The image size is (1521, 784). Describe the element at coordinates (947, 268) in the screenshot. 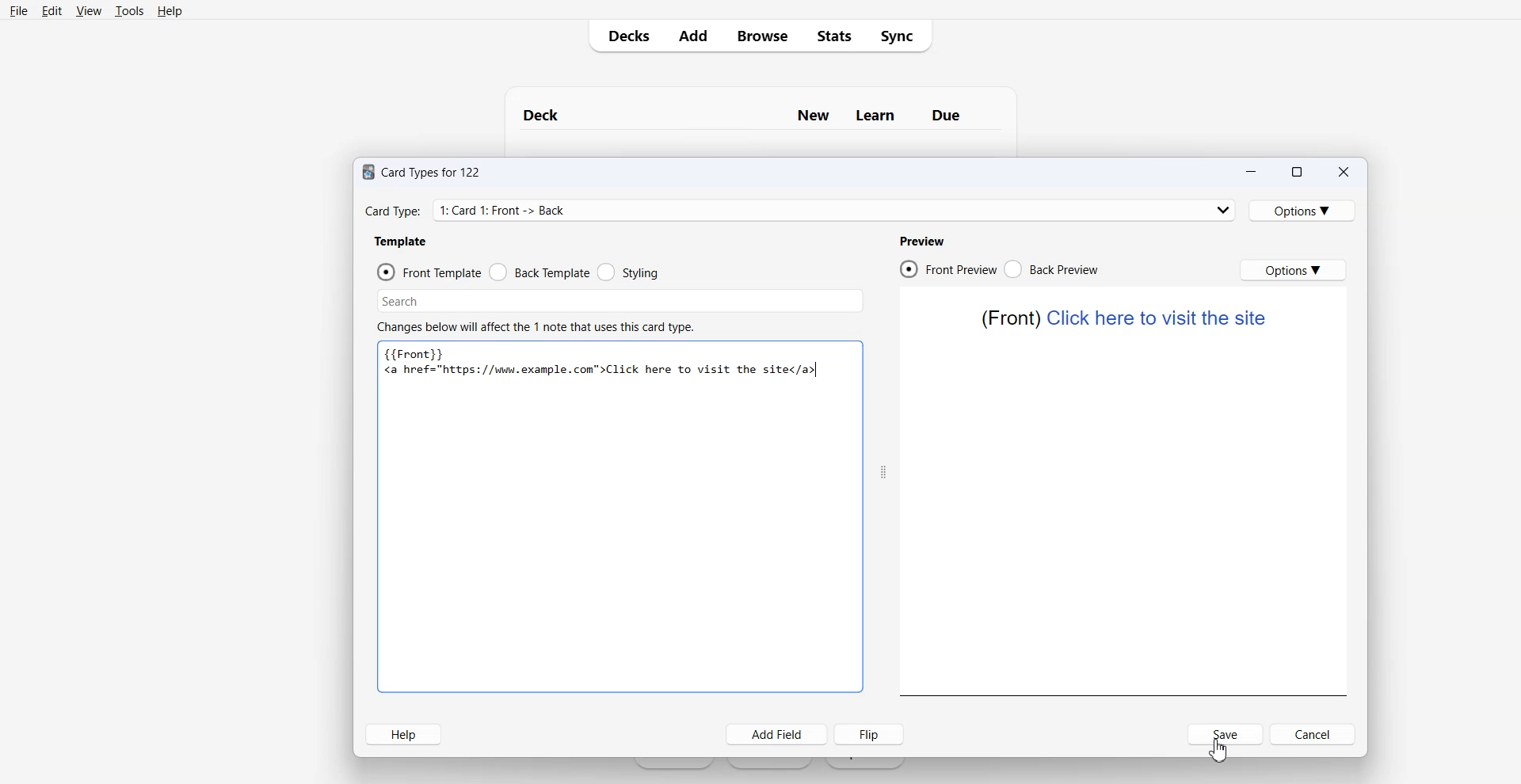

I see `Front Preview` at that location.